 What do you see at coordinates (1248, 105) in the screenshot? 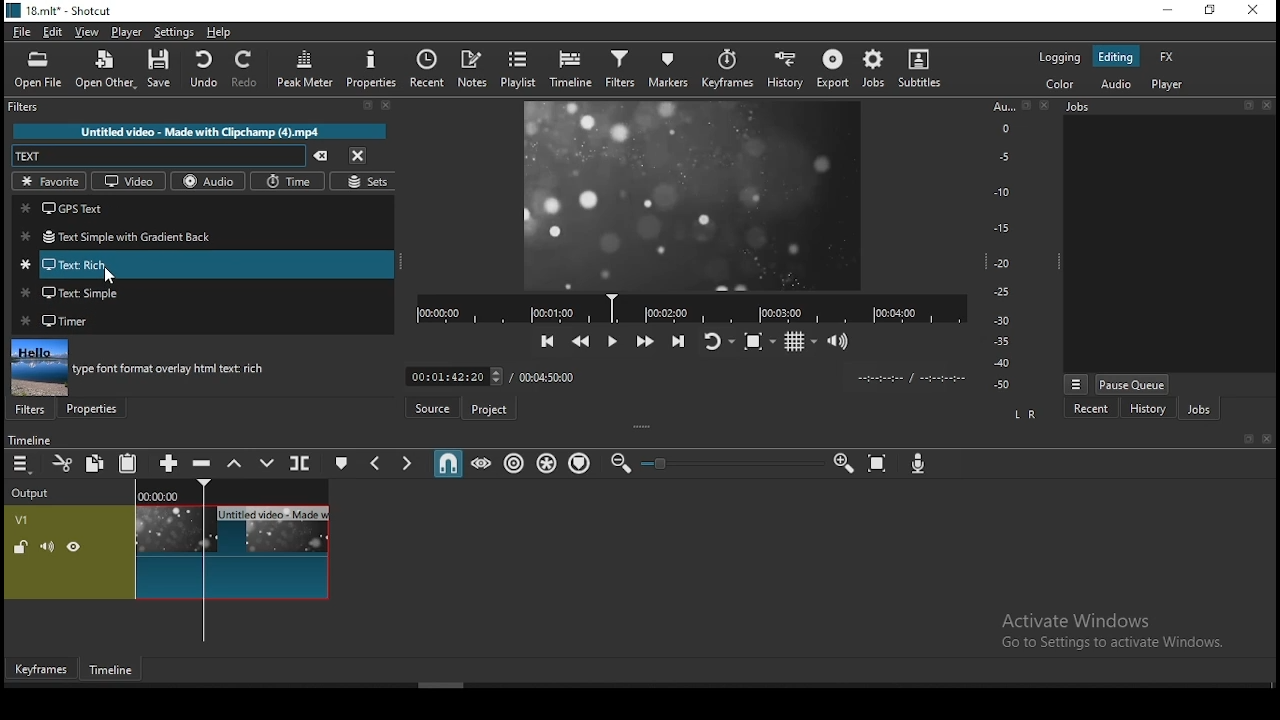
I see `Detach` at bounding box center [1248, 105].